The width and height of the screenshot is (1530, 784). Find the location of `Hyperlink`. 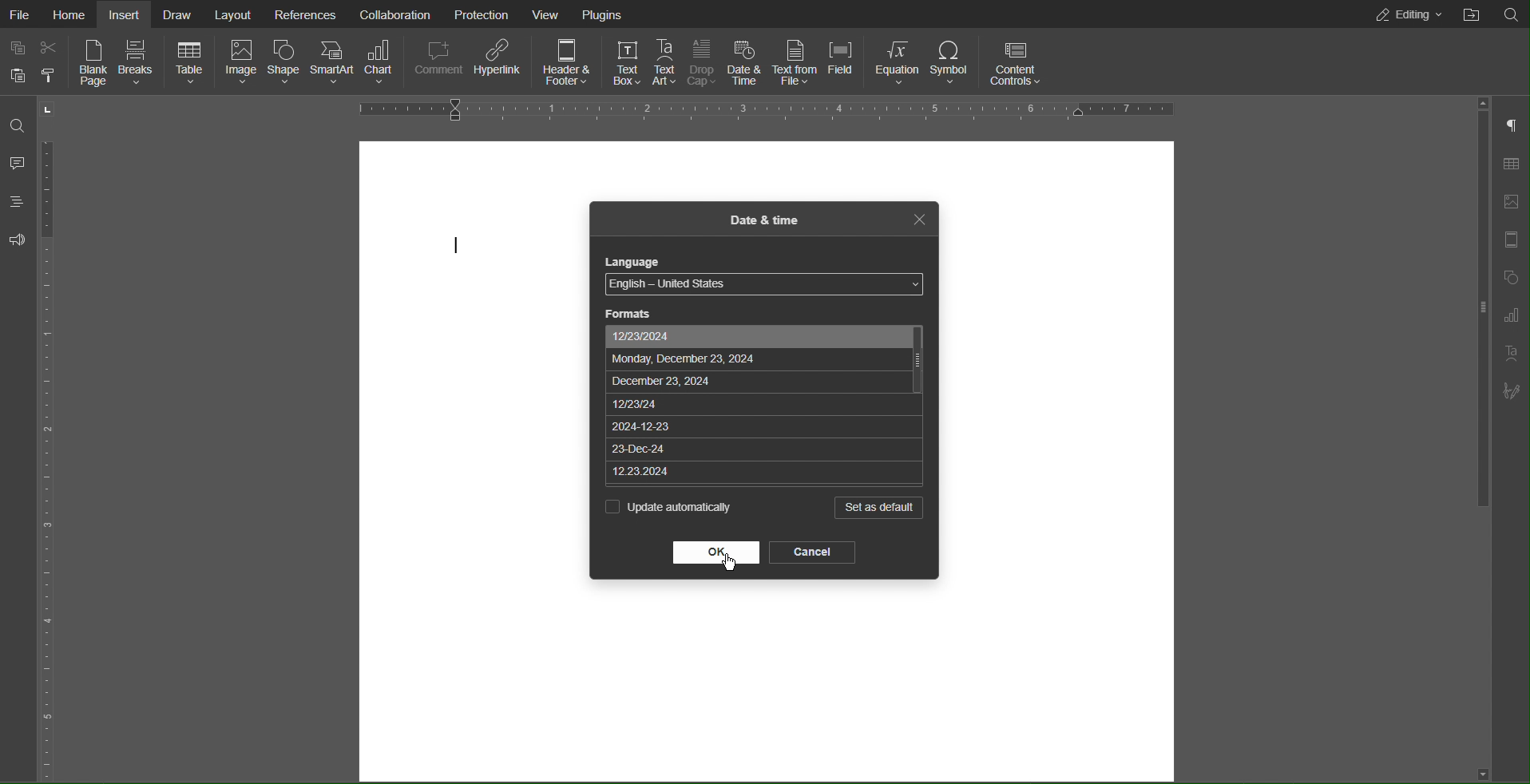

Hyperlink is located at coordinates (498, 61).